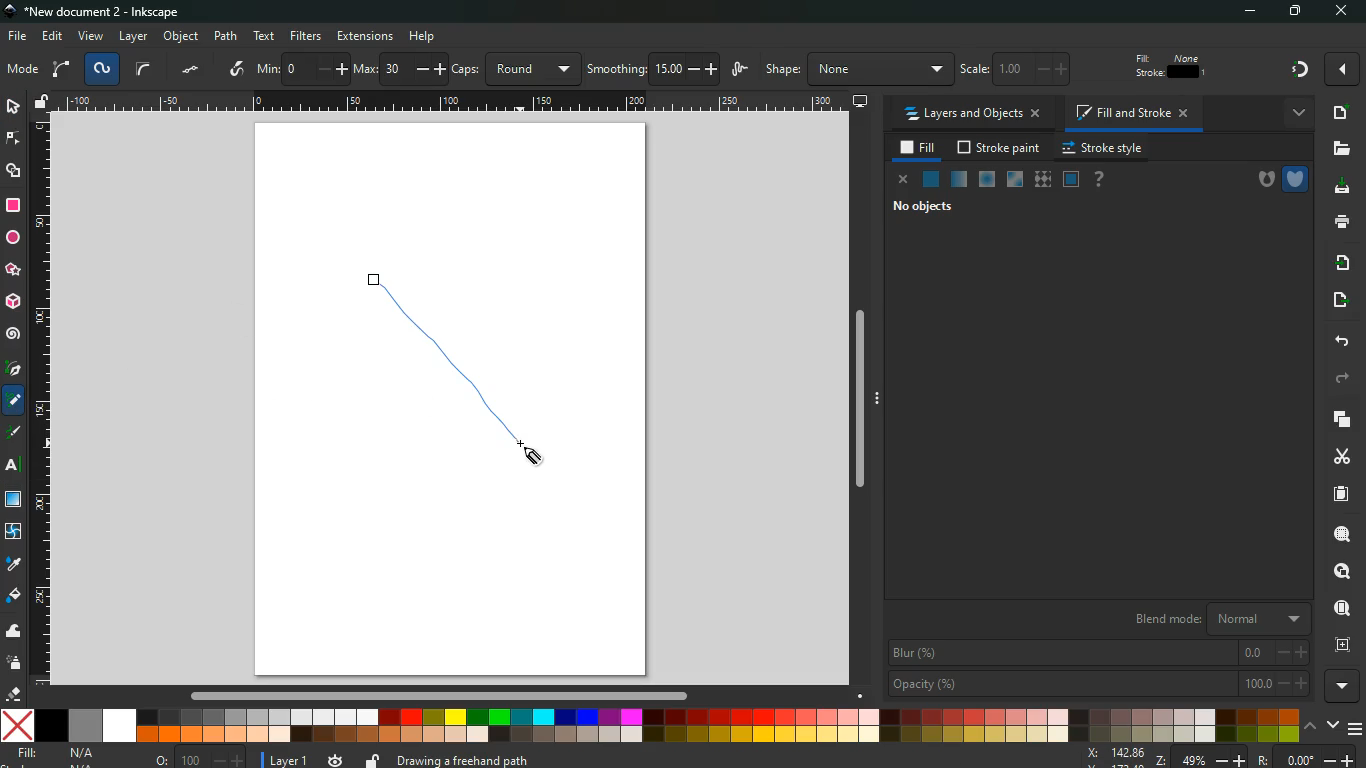 The height and width of the screenshot is (768, 1366). I want to click on edge, so click(13, 141).